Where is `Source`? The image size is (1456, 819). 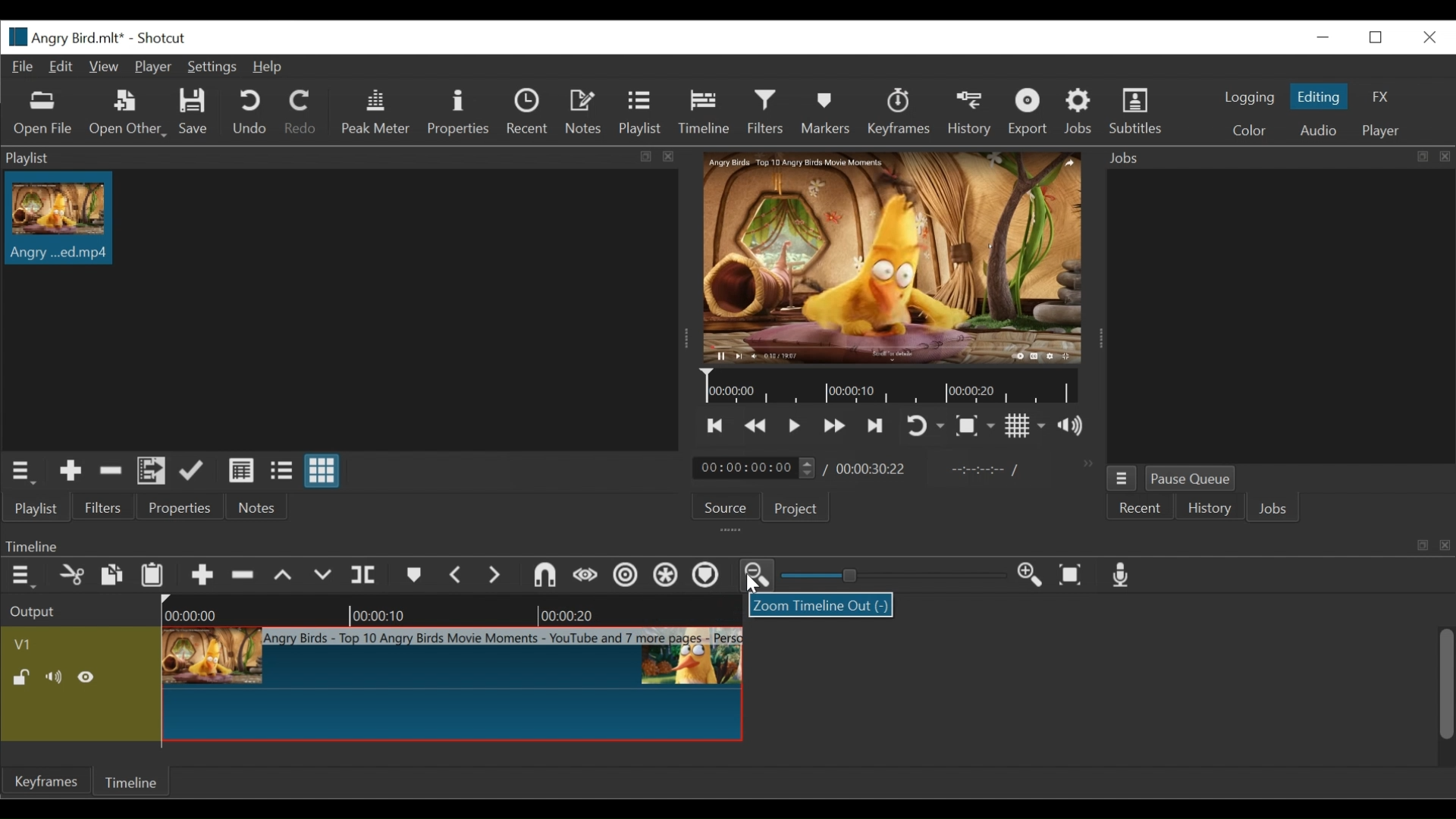 Source is located at coordinates (725, 507).